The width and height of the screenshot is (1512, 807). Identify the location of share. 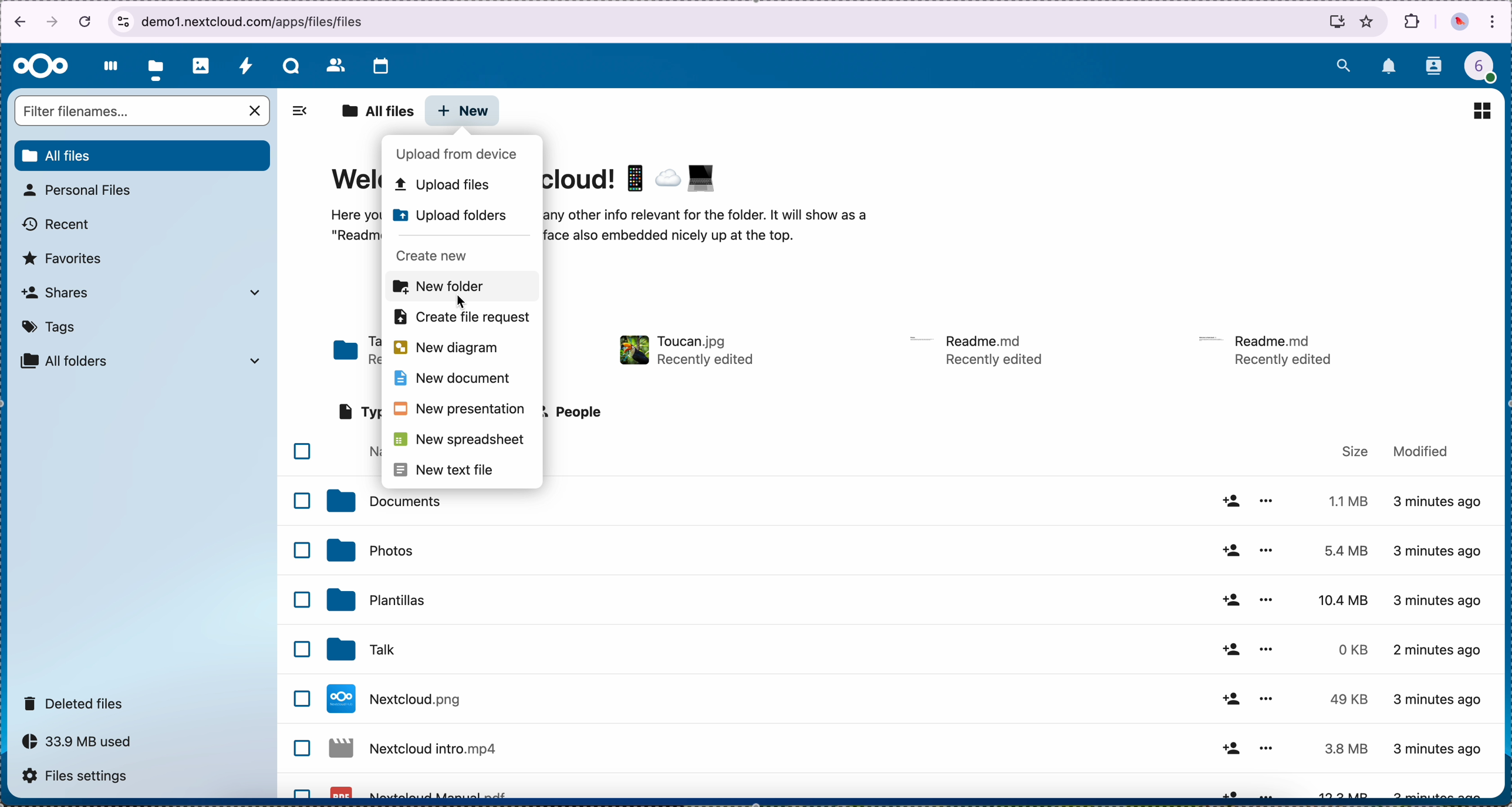
(1229, 748).